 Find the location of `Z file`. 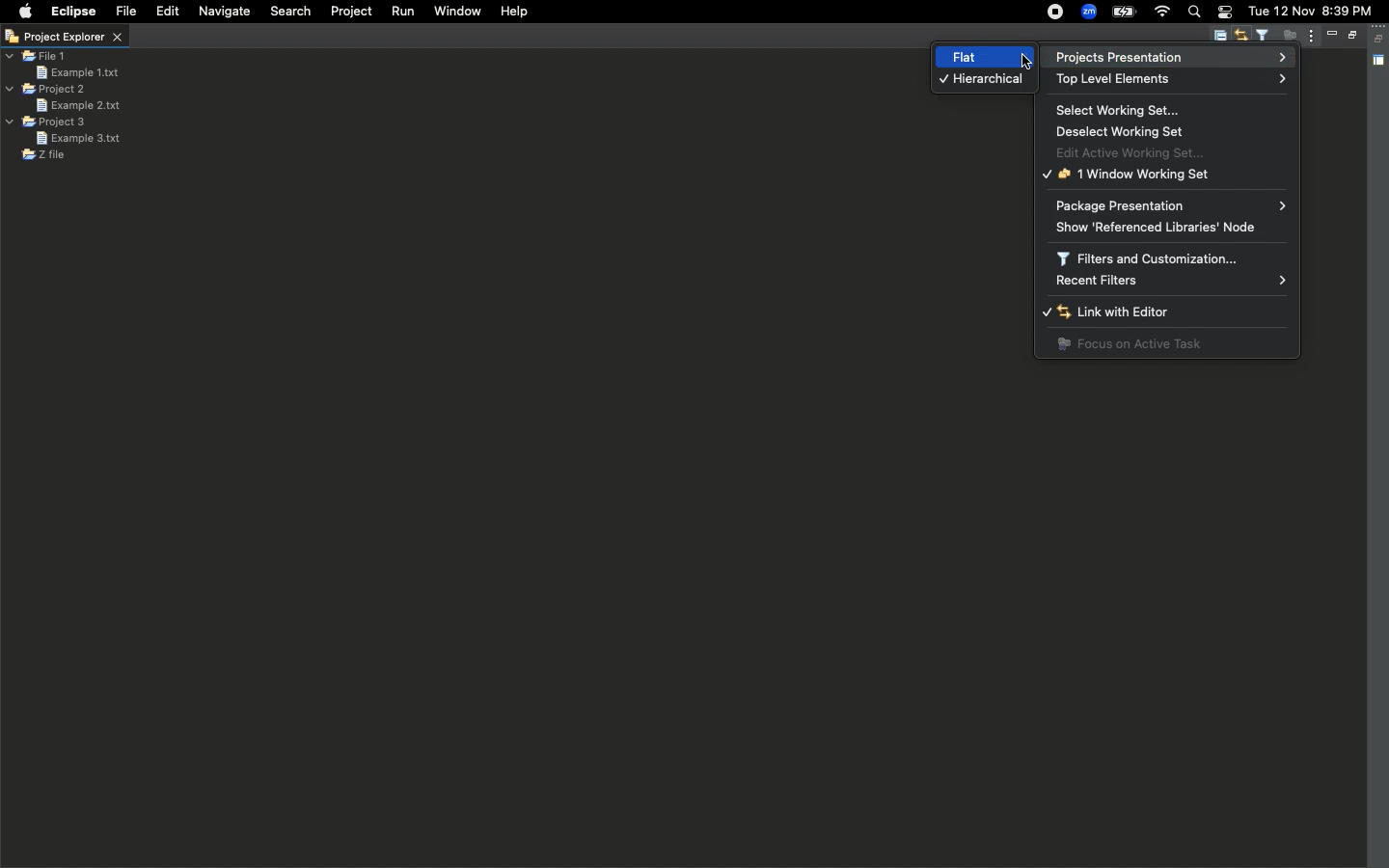

Z file is located at coordinates (43, 155).